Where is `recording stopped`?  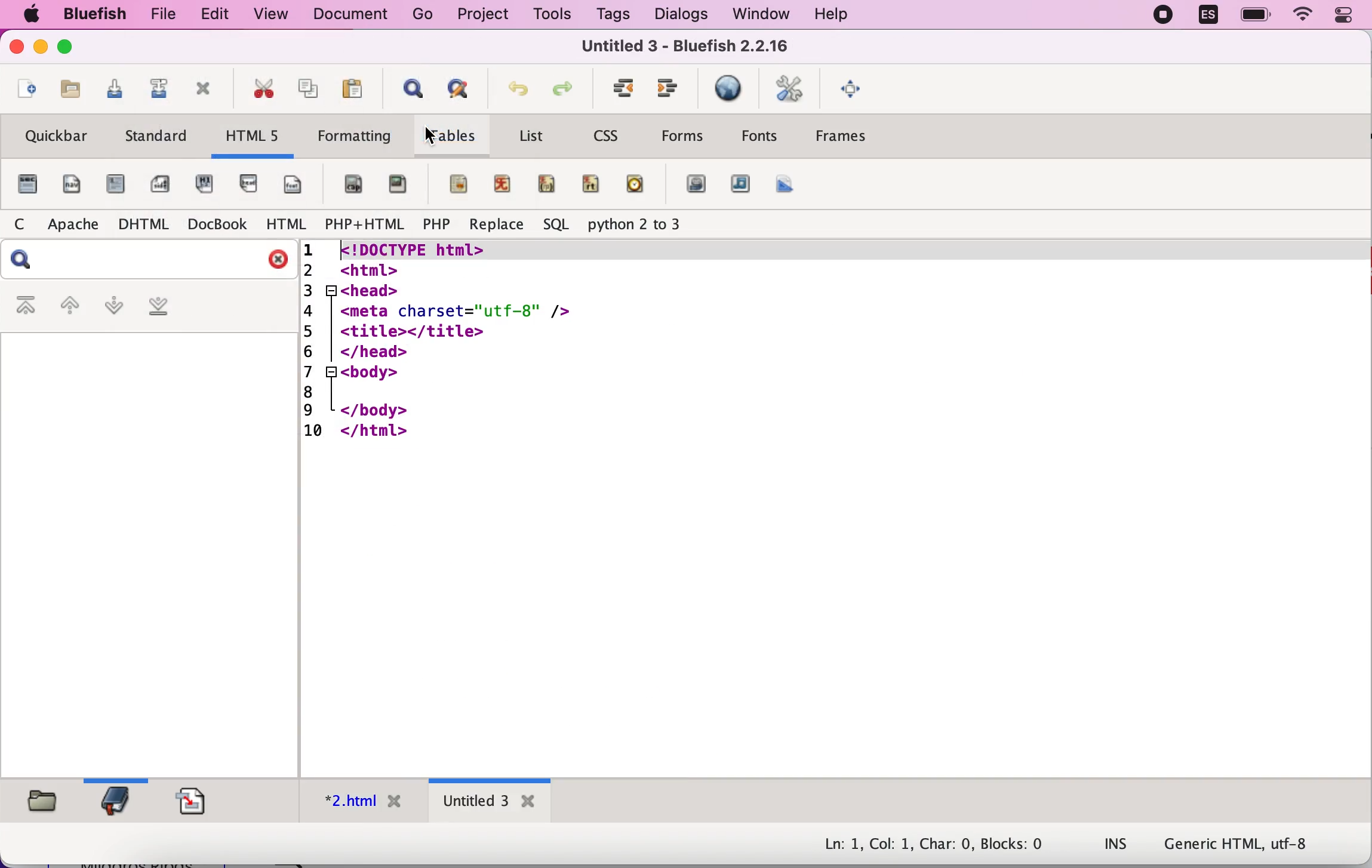
recording stopped is located at coordinates (1159, 15).